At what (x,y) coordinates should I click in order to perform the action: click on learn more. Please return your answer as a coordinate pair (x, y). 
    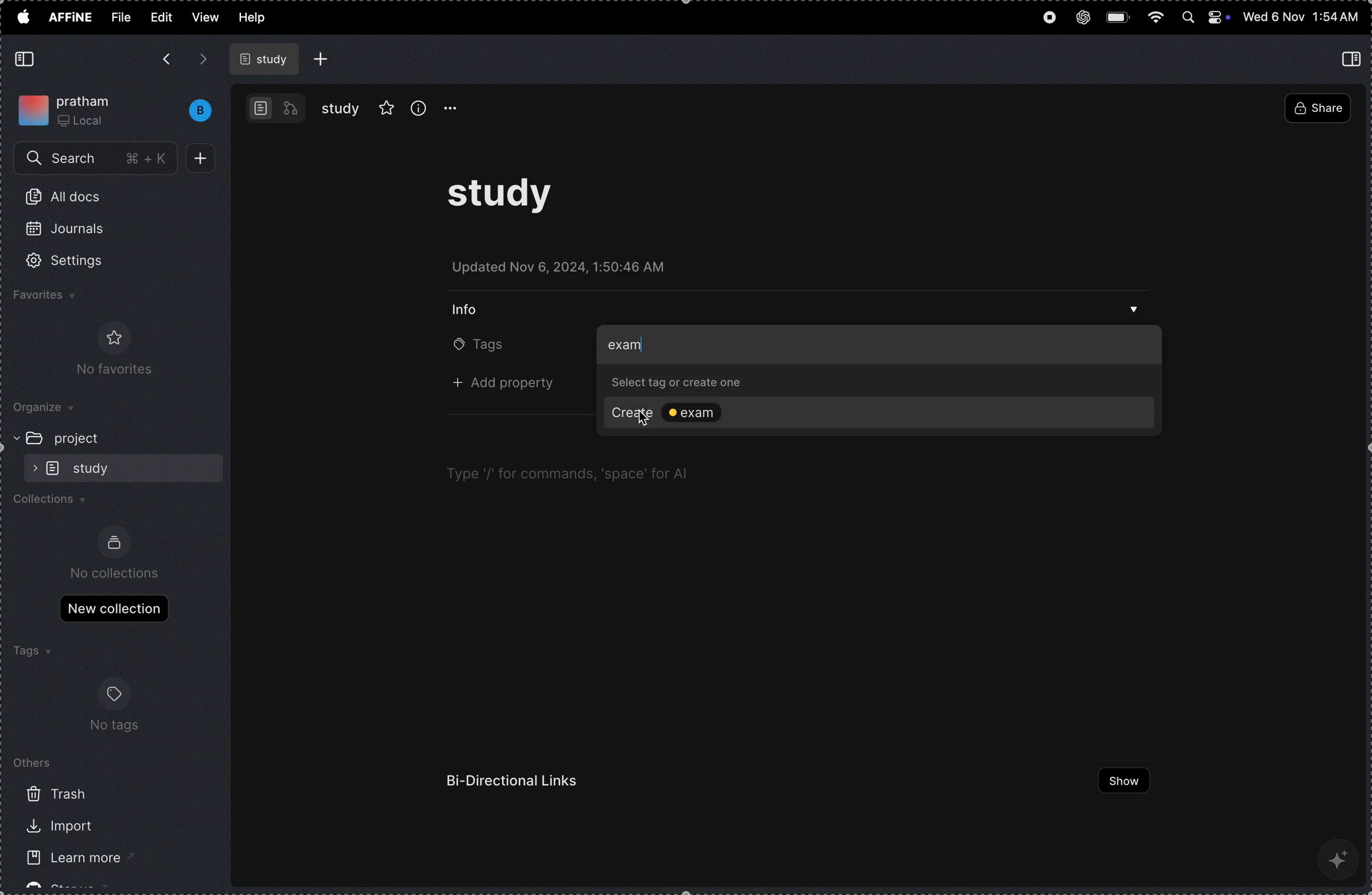
    Looking at the image, I should click on (65, 860).